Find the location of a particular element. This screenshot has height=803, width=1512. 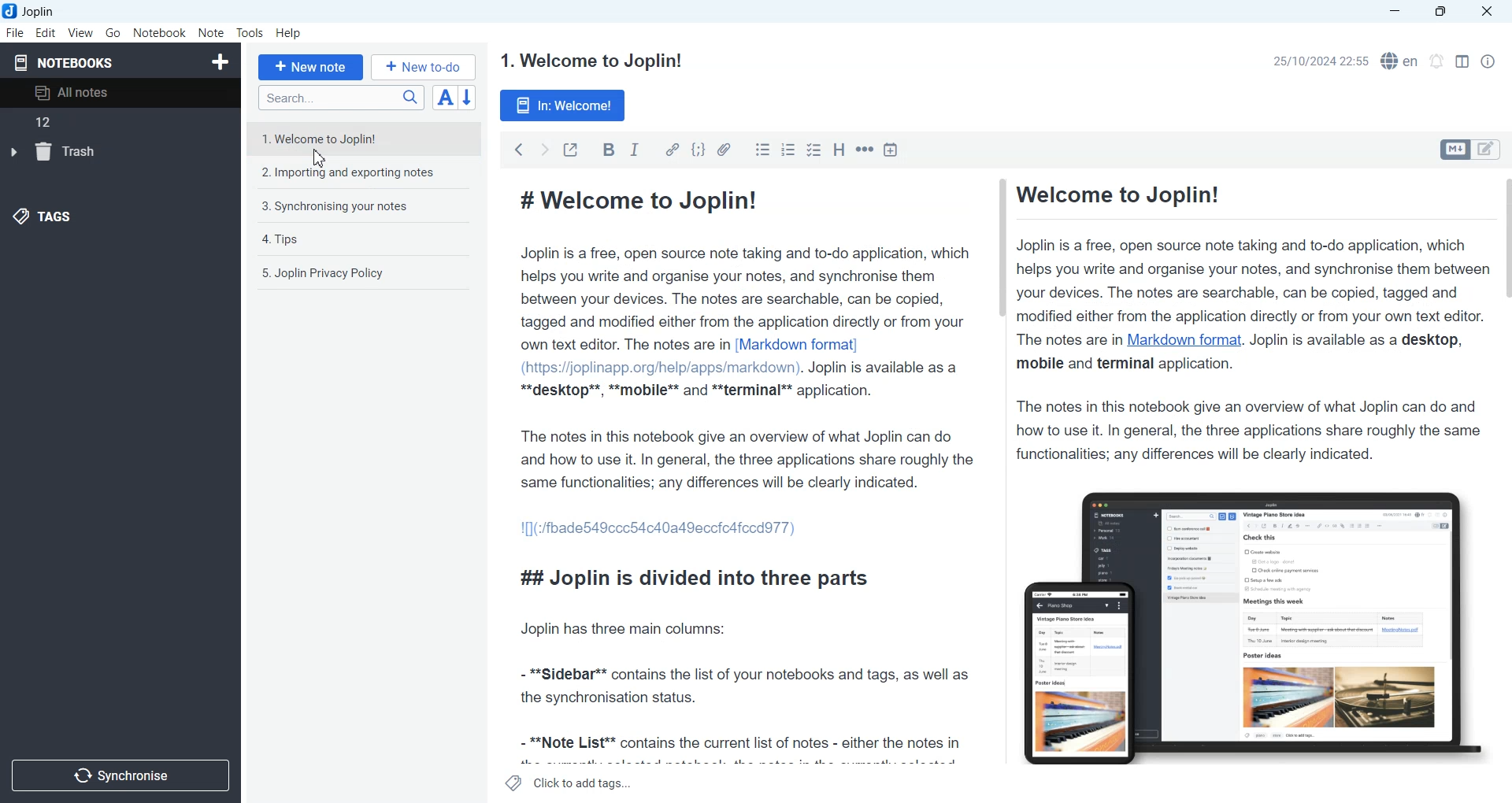

5. Joplin Privacy Policy is located at coordinates (324, 273).